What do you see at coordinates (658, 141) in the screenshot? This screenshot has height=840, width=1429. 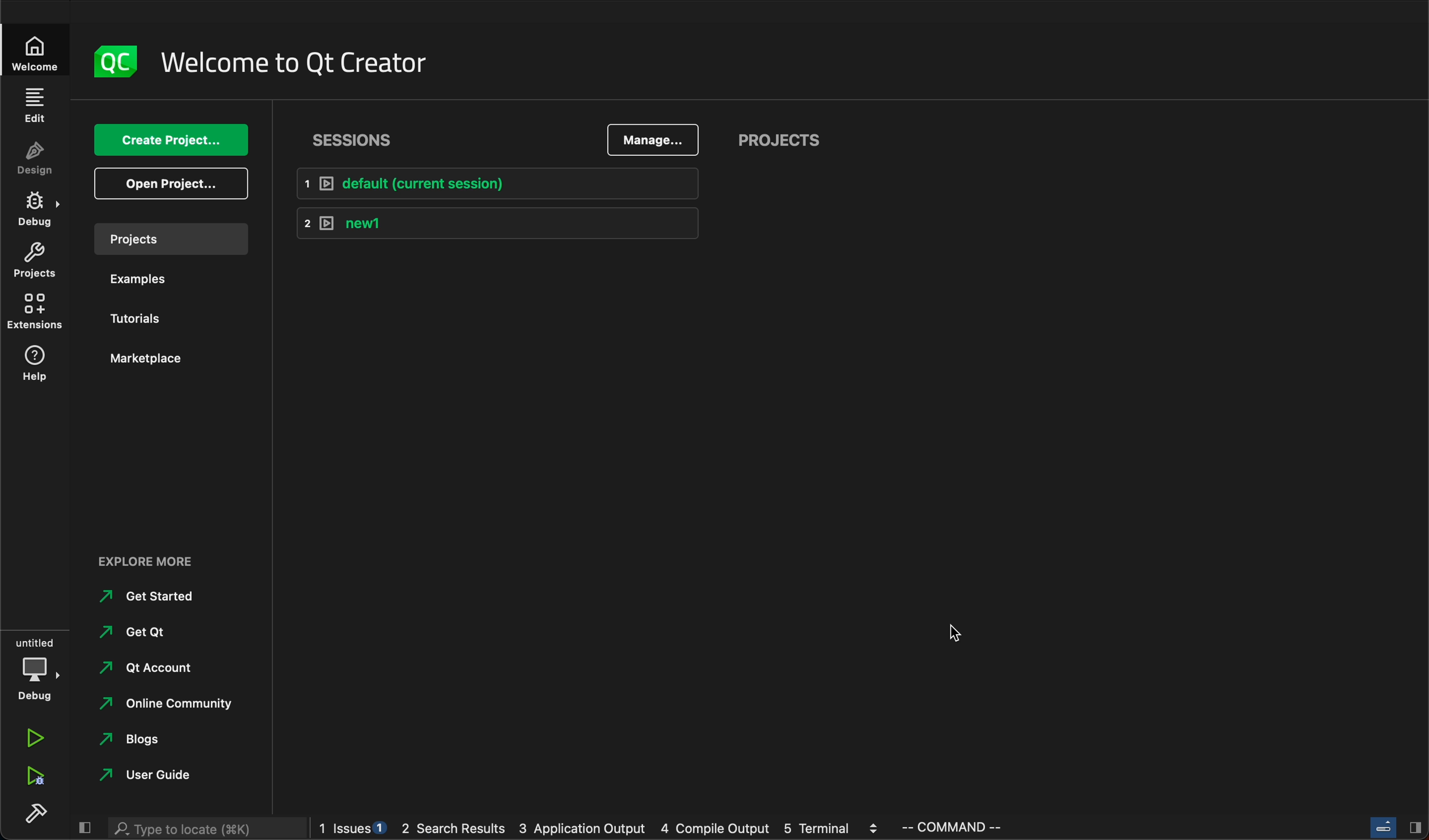 I see `manage` at bounding box center [658, 141].